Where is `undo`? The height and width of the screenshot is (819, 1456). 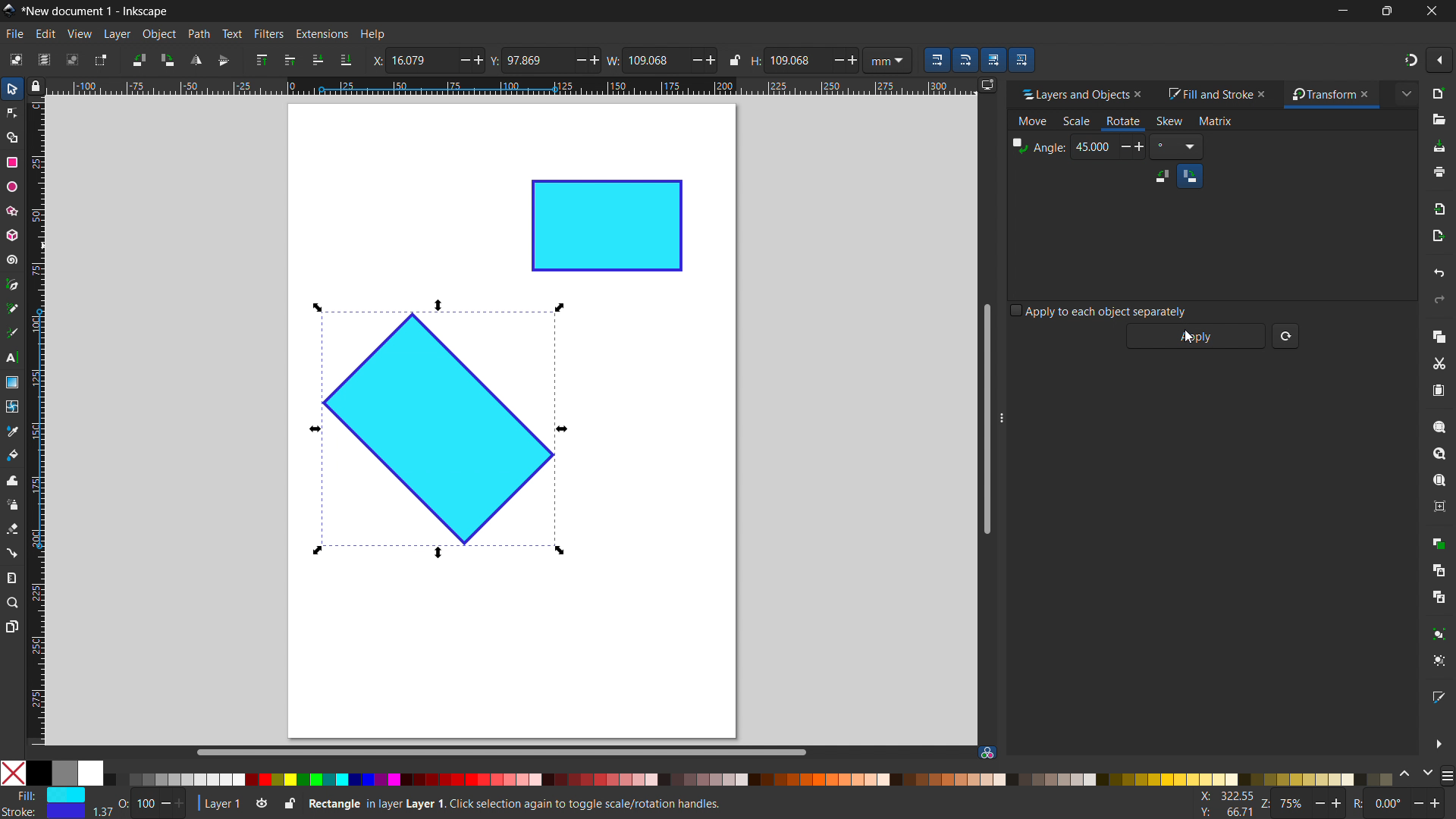
undo is located at coordinates (1439, 272).